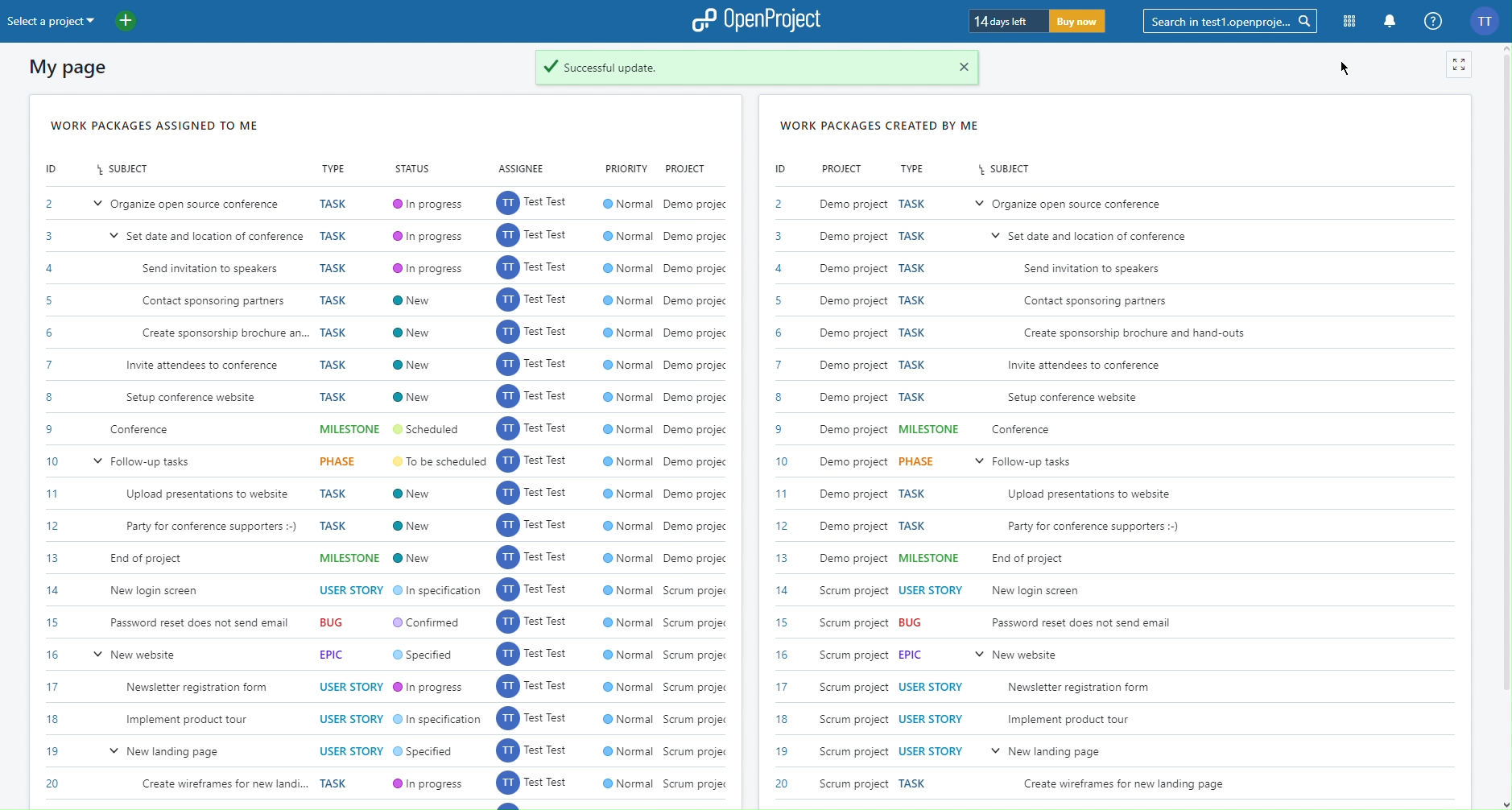  I want to click on In progress, so click(431, 690).